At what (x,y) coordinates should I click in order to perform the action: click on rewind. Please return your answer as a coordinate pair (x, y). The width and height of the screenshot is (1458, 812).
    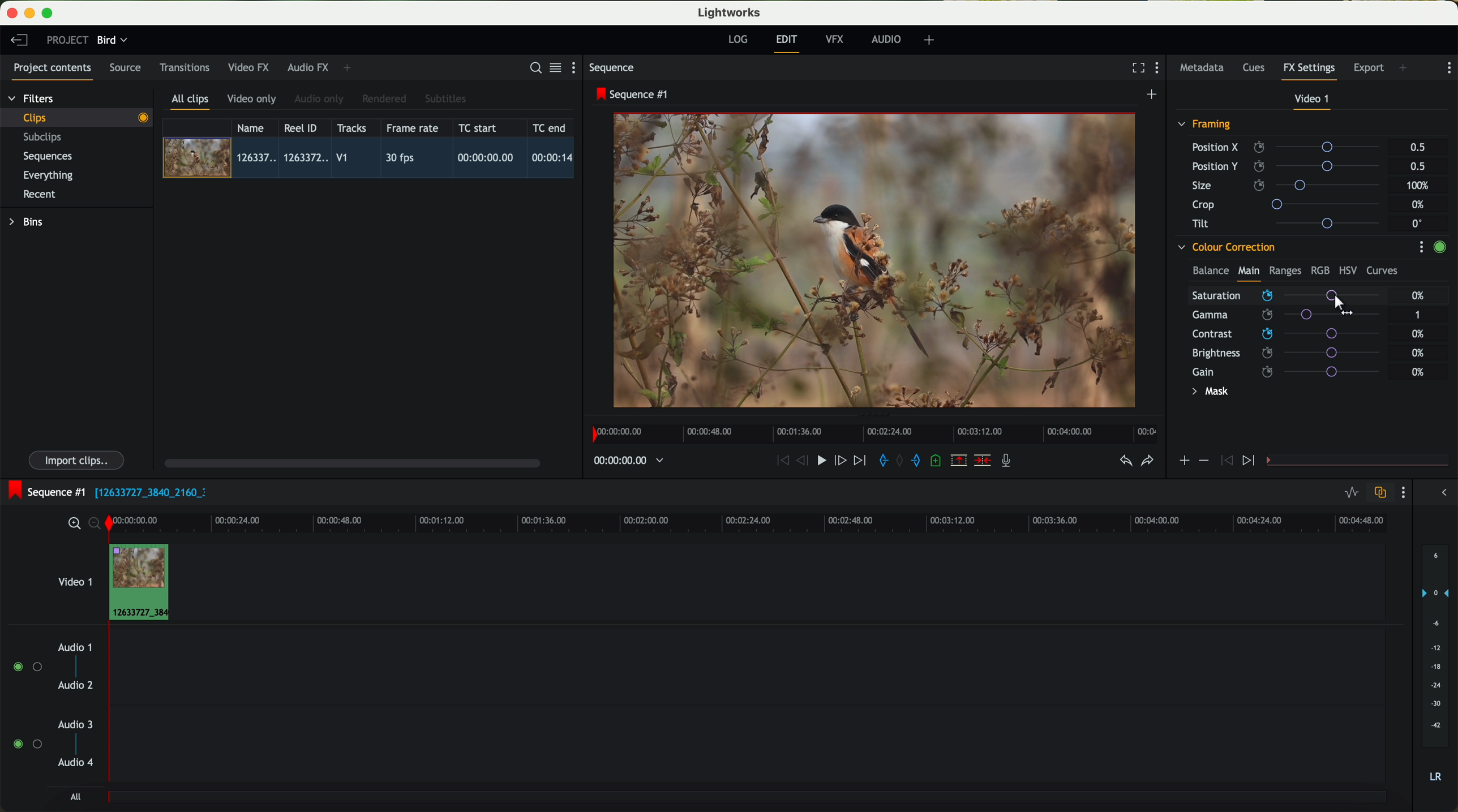
    Looking at the image, I should click on (782, 461).